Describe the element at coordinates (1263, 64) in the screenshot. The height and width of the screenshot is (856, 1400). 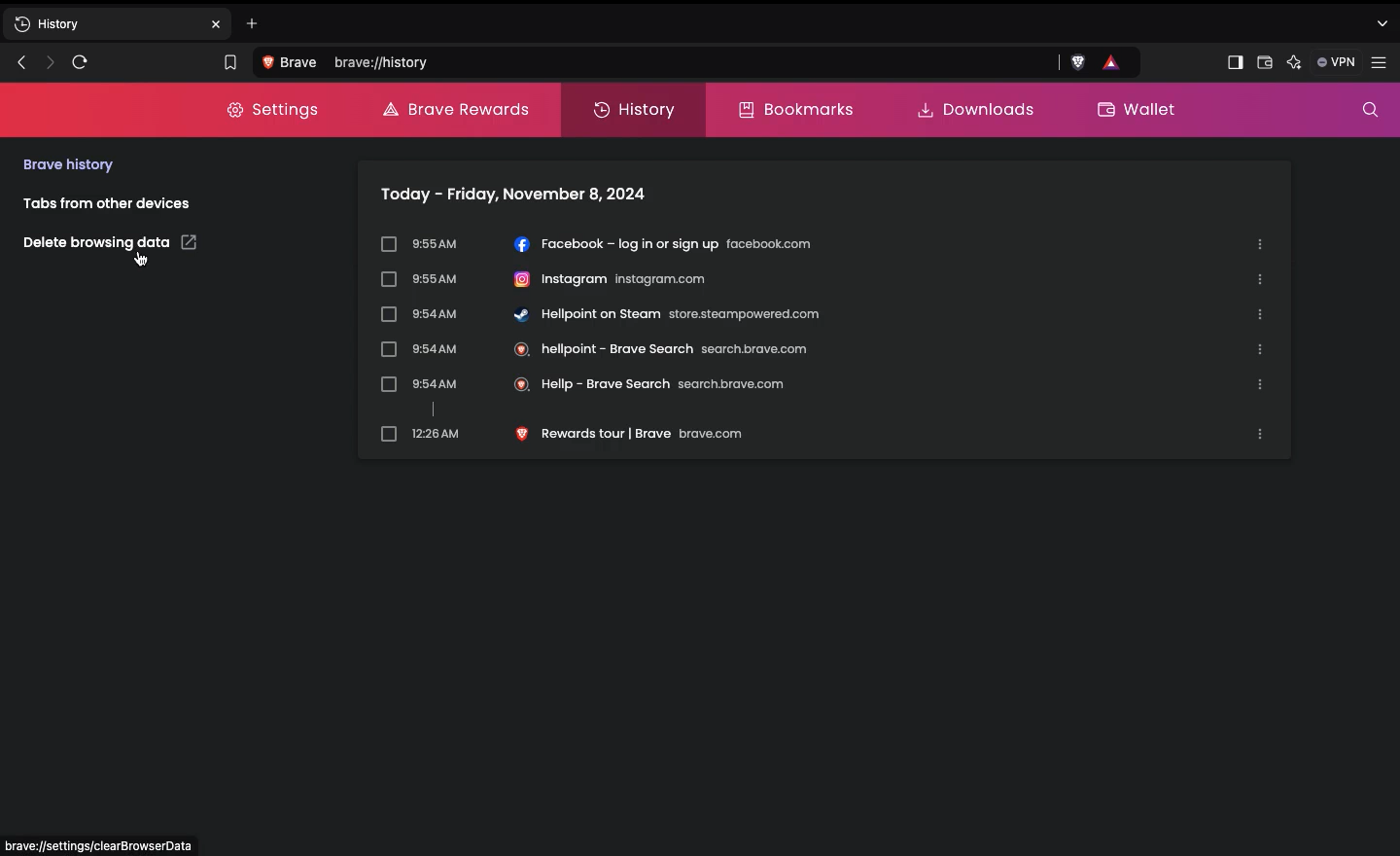
I see `Wallet` at that location.